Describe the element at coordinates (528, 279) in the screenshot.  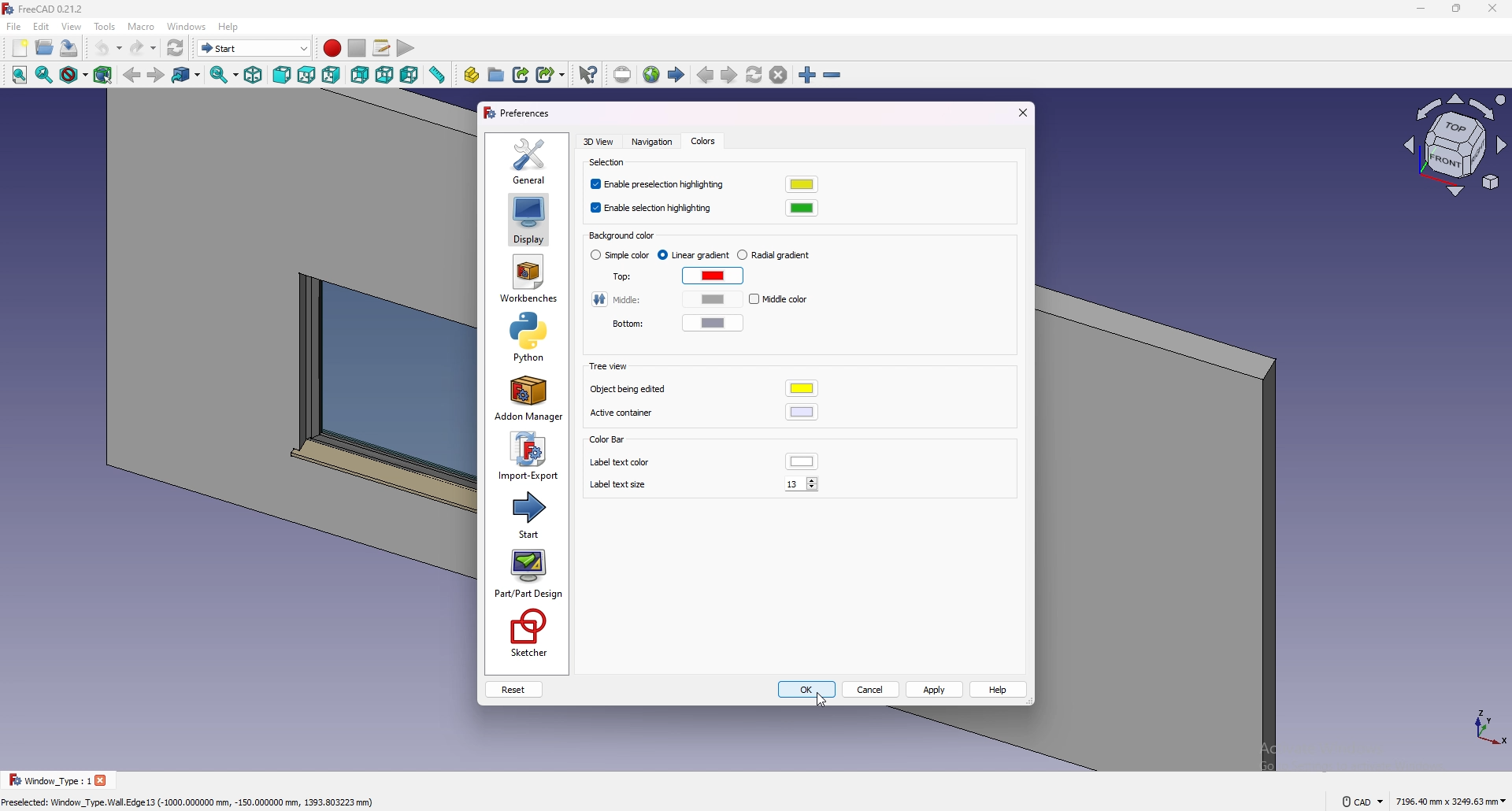
I see `workbenches` at that location.